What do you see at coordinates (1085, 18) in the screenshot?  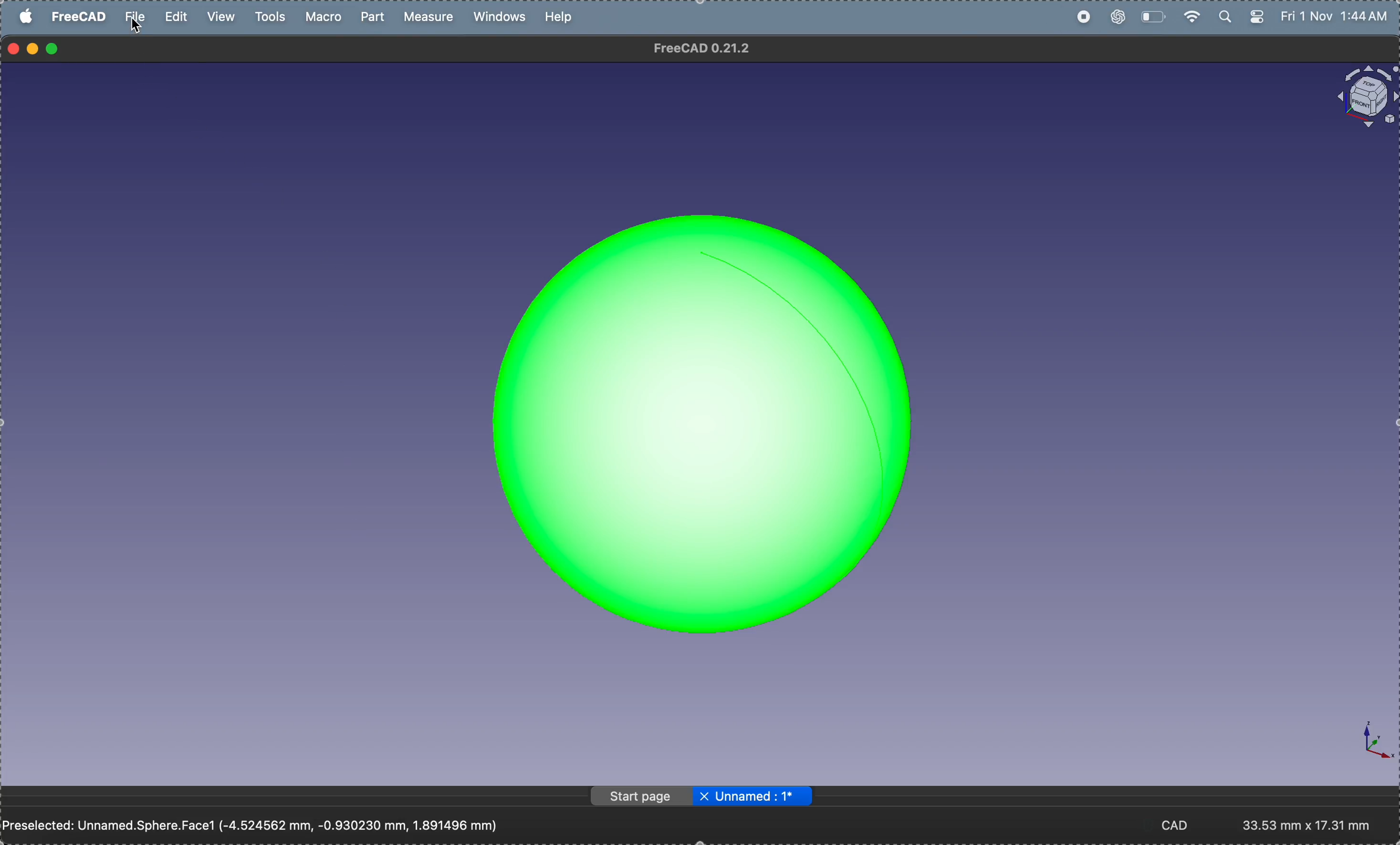 I see `record` at bounding box center [1085, 18].